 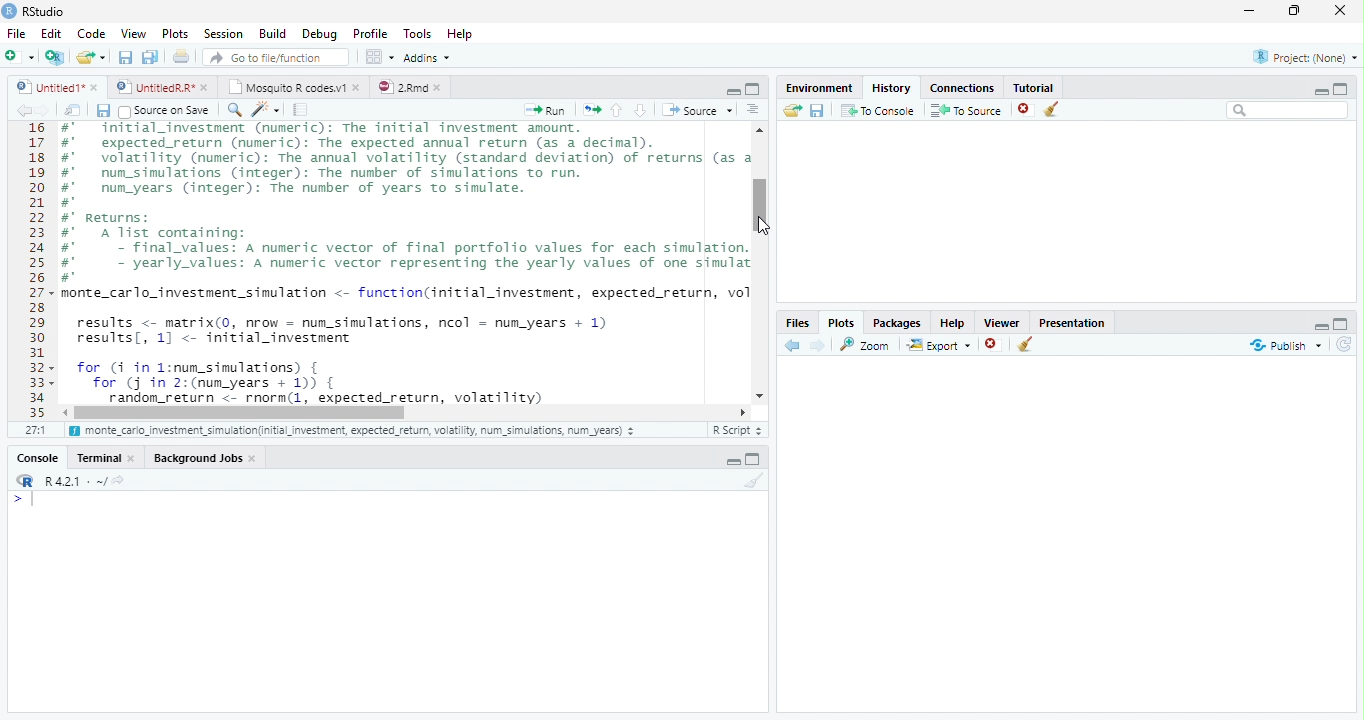 What do you see at coordinates (38, 457) in the screenshot?
I see `Console` at bounding box center [38, 457].